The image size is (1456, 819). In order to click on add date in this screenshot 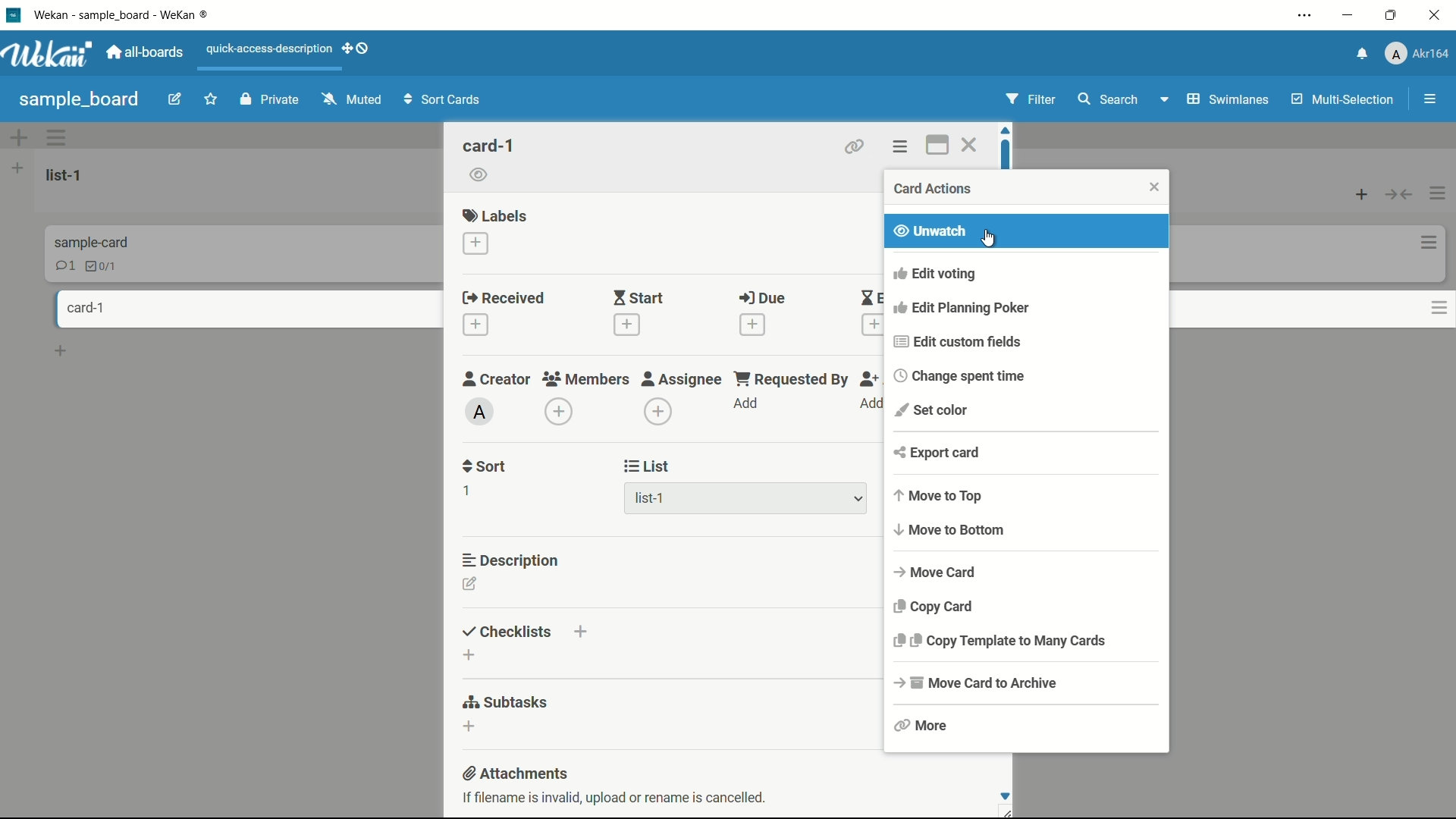, I will do `click(475, 325)`.